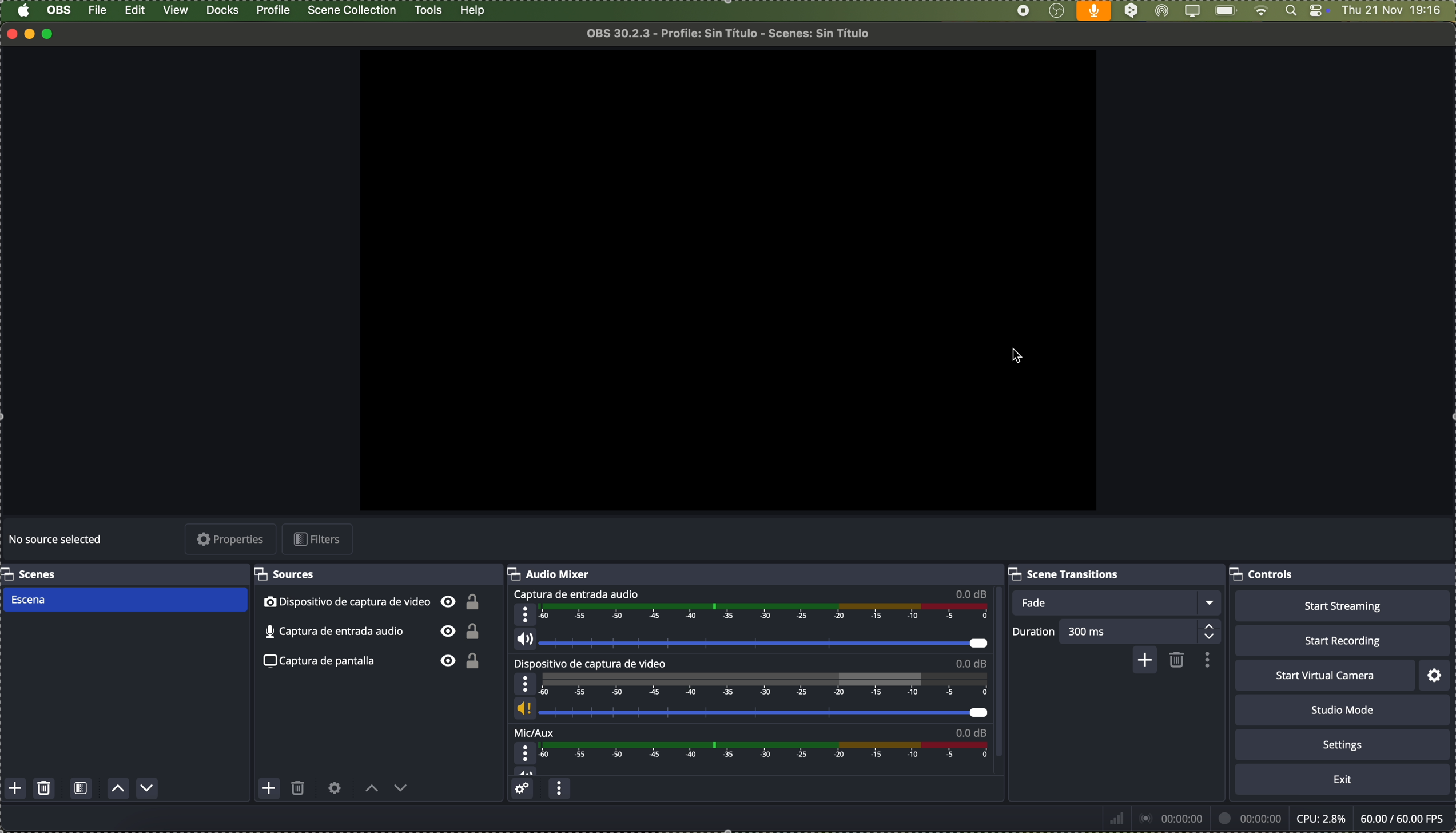  Describe the element at coordinates (335, 788) in the screenshot. I see `open source properties` at that location.